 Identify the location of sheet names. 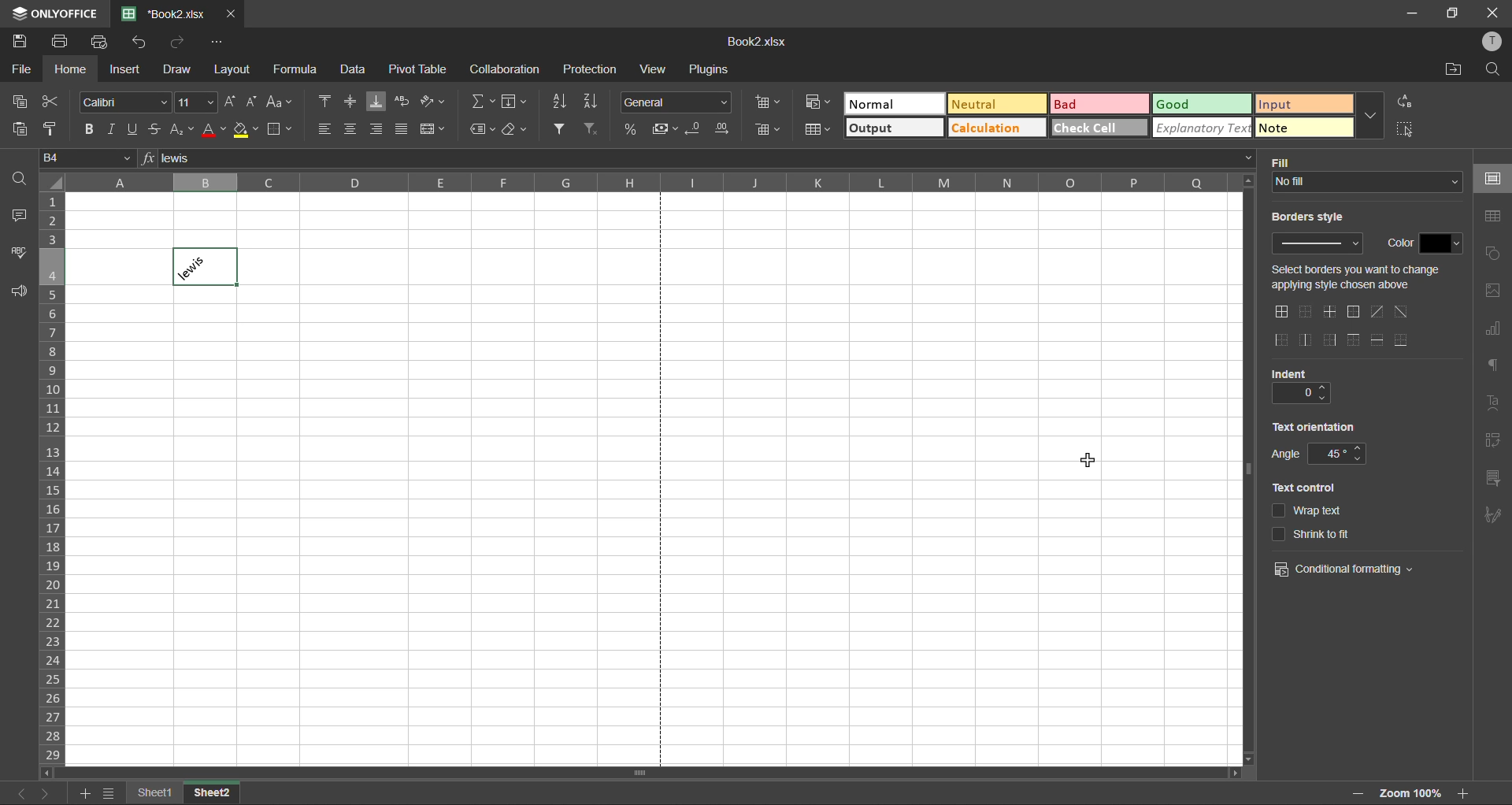
(150, 793).